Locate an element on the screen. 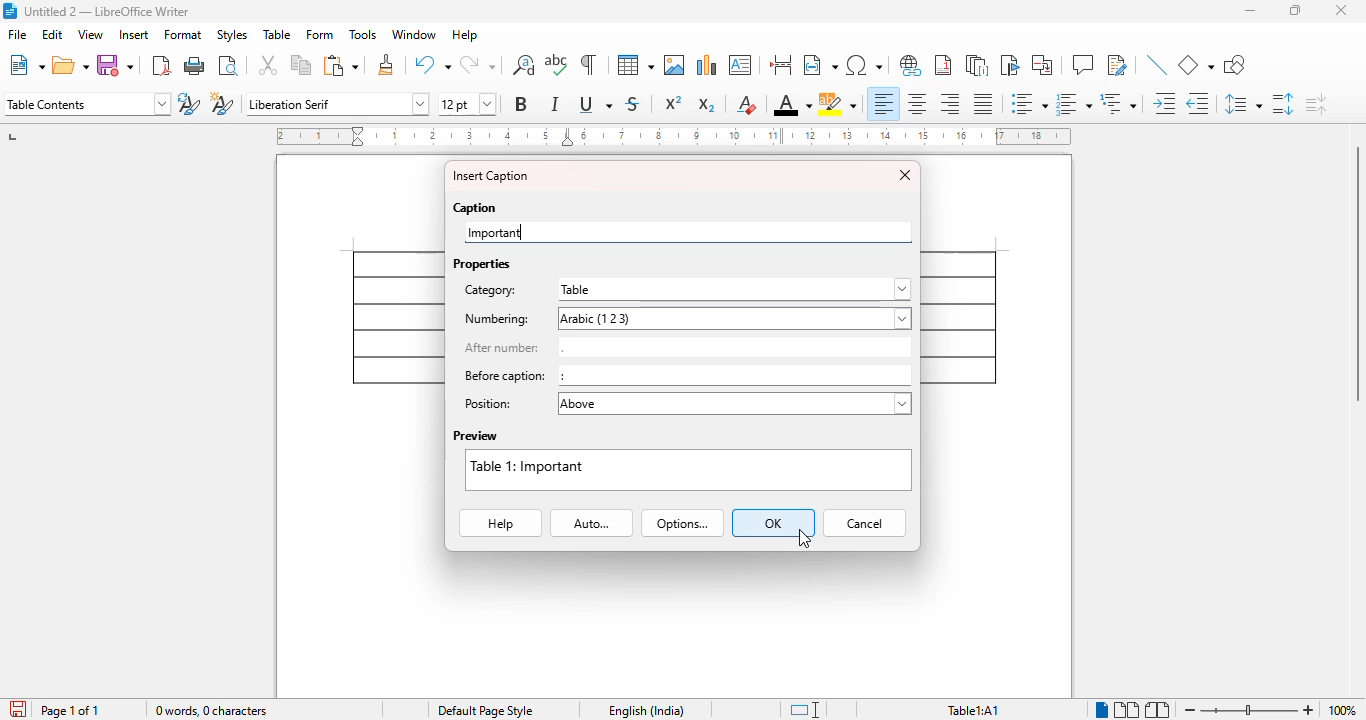  new style from selection is located at coordinates (223, 103).